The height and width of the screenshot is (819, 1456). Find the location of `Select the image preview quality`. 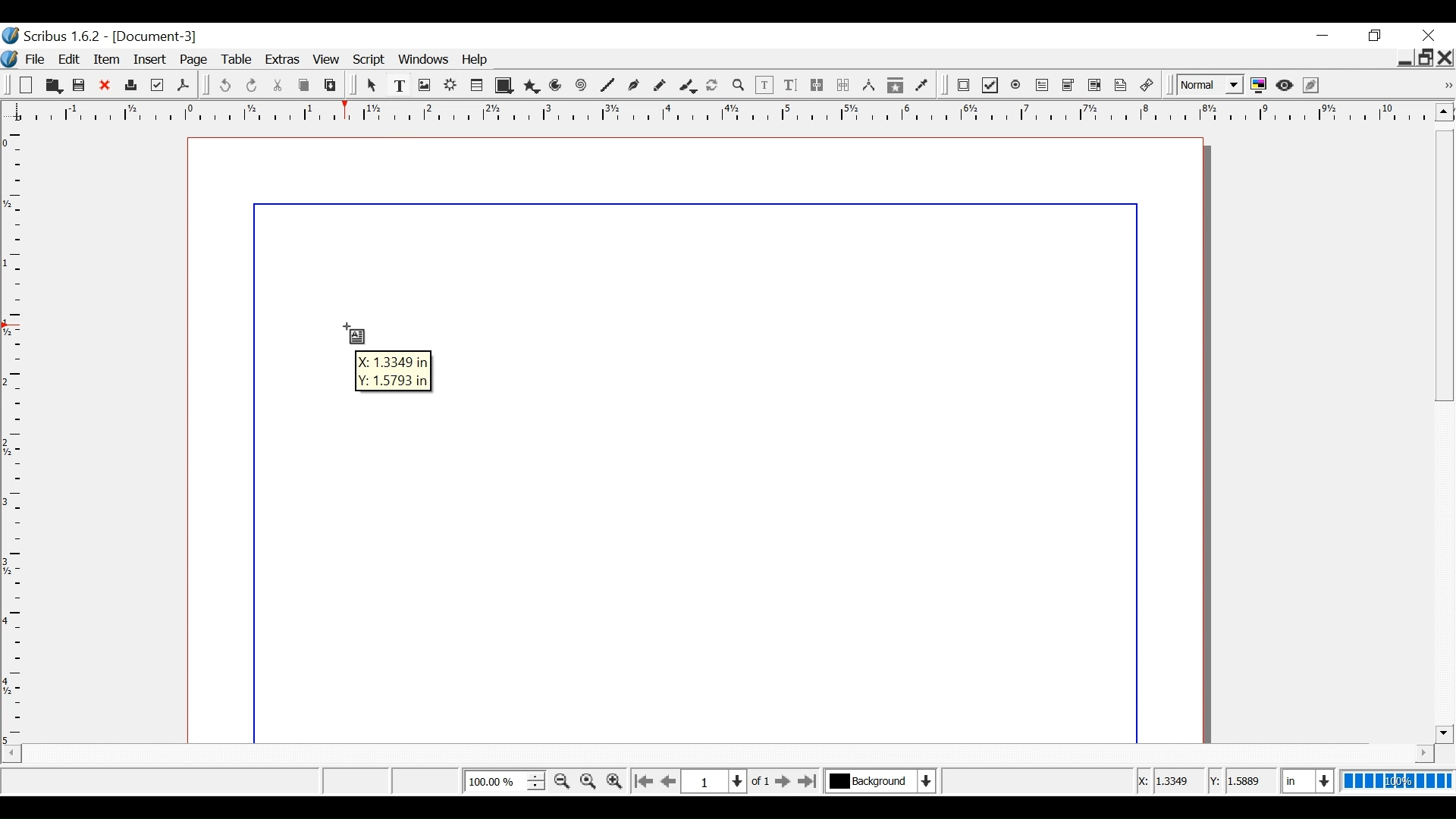

Select the image preview quality is located at coordinates (1212, 85).